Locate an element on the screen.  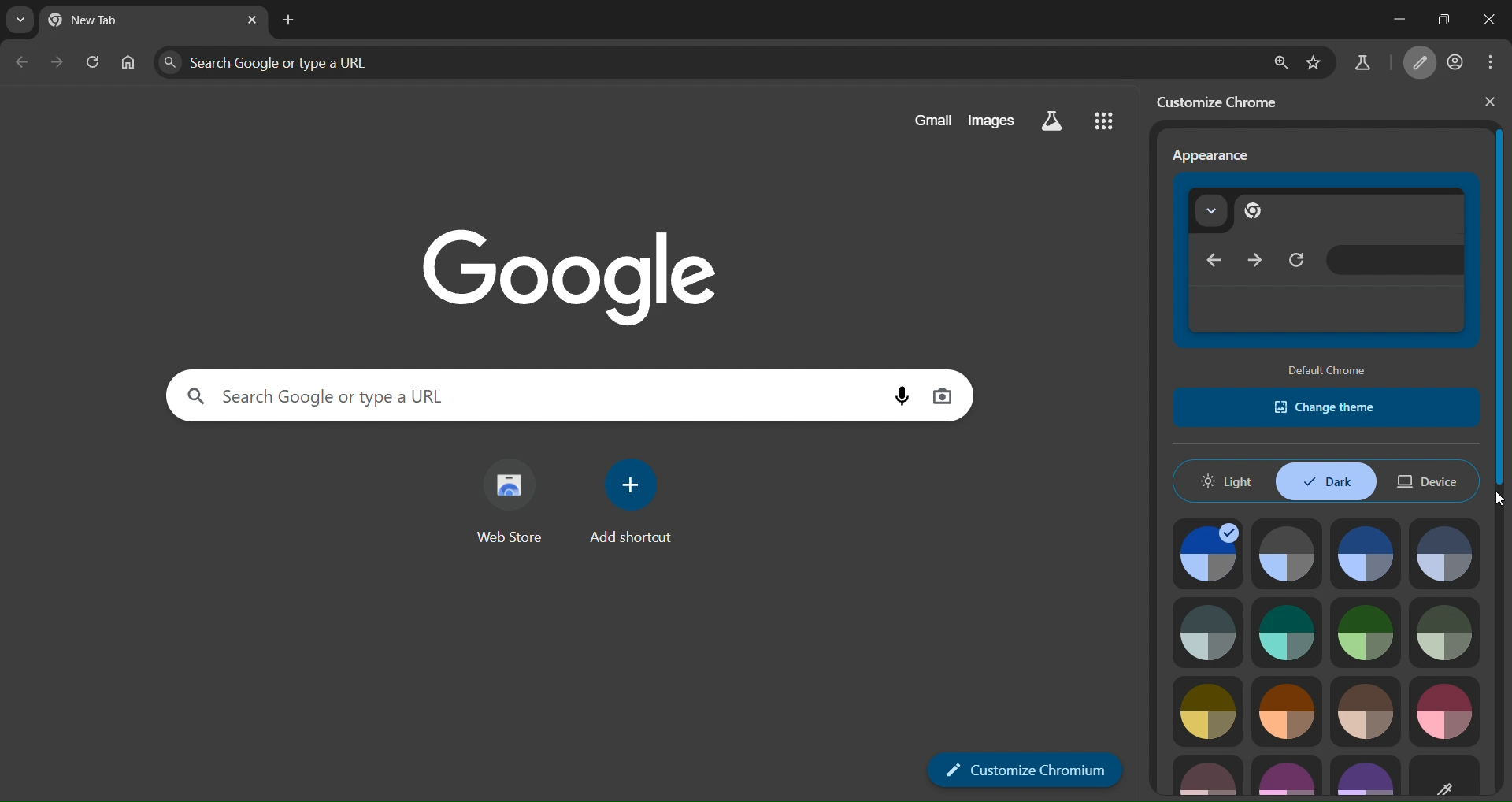
Search Google or type a URL is located at coordinates (709, 63).